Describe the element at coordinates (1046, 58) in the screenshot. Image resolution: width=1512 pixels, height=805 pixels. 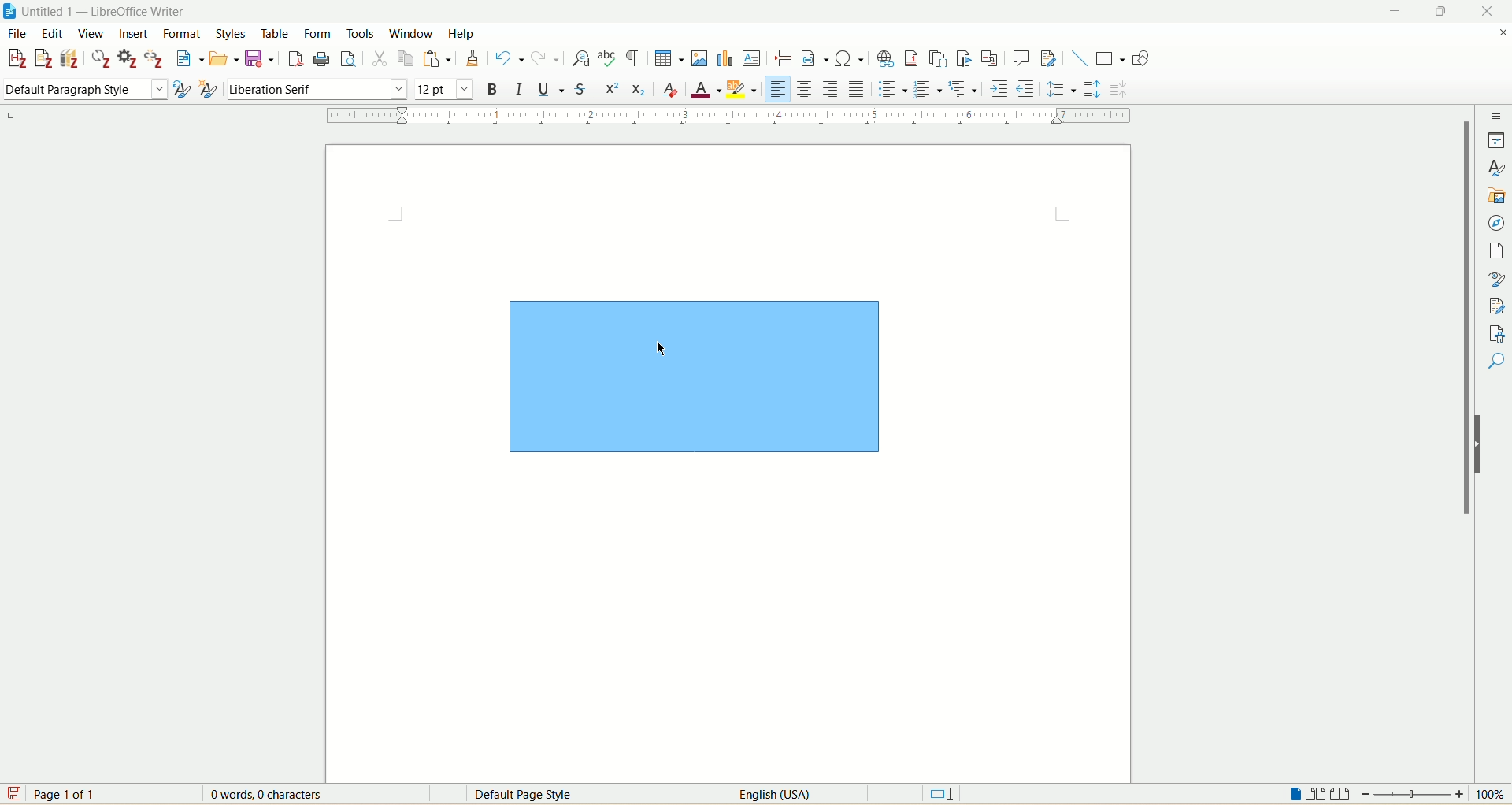
I see `track changes` at that location.